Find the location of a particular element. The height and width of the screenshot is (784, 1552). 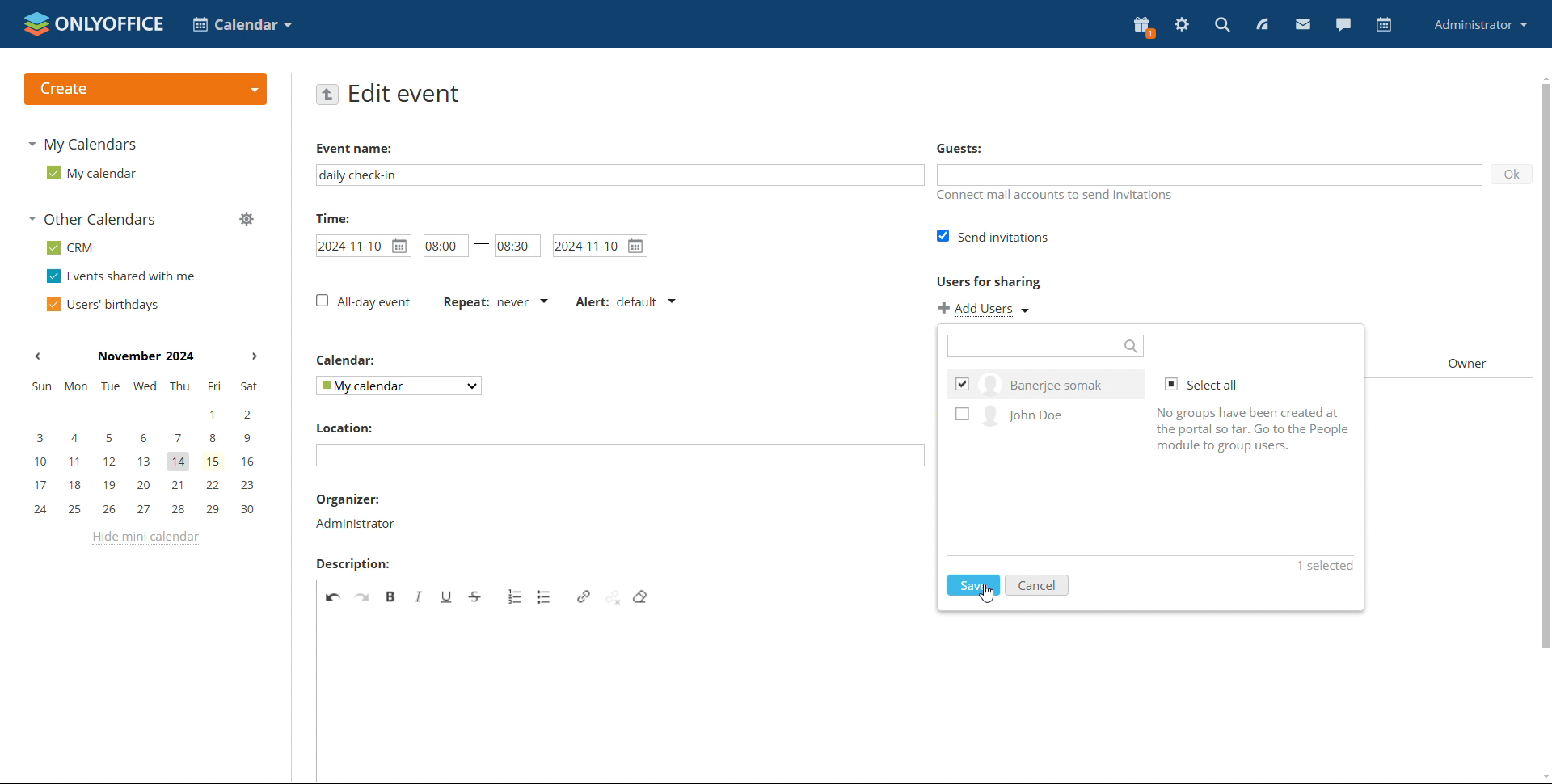

add location is located at coordinates (620, 455).